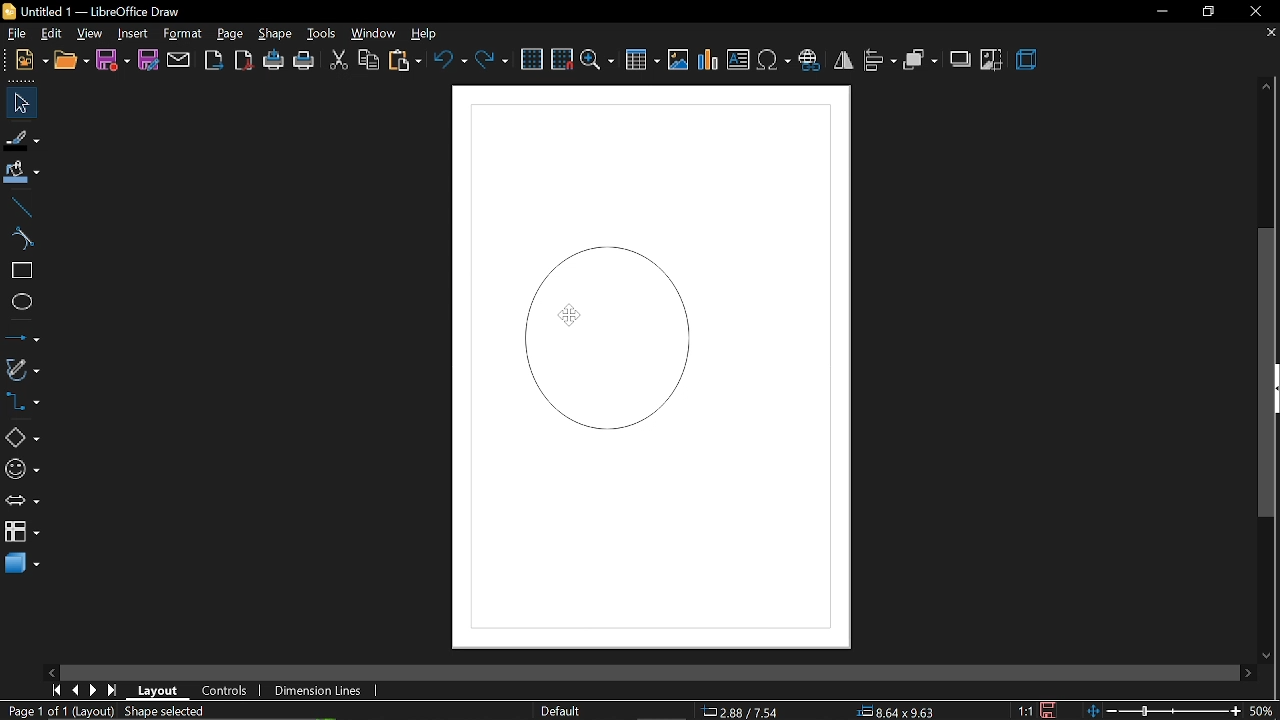 The width and height of the screenshot is (1280, 720). Describe the element at coordinates (842, 59) in the screenshot. I see `flip` at that location.